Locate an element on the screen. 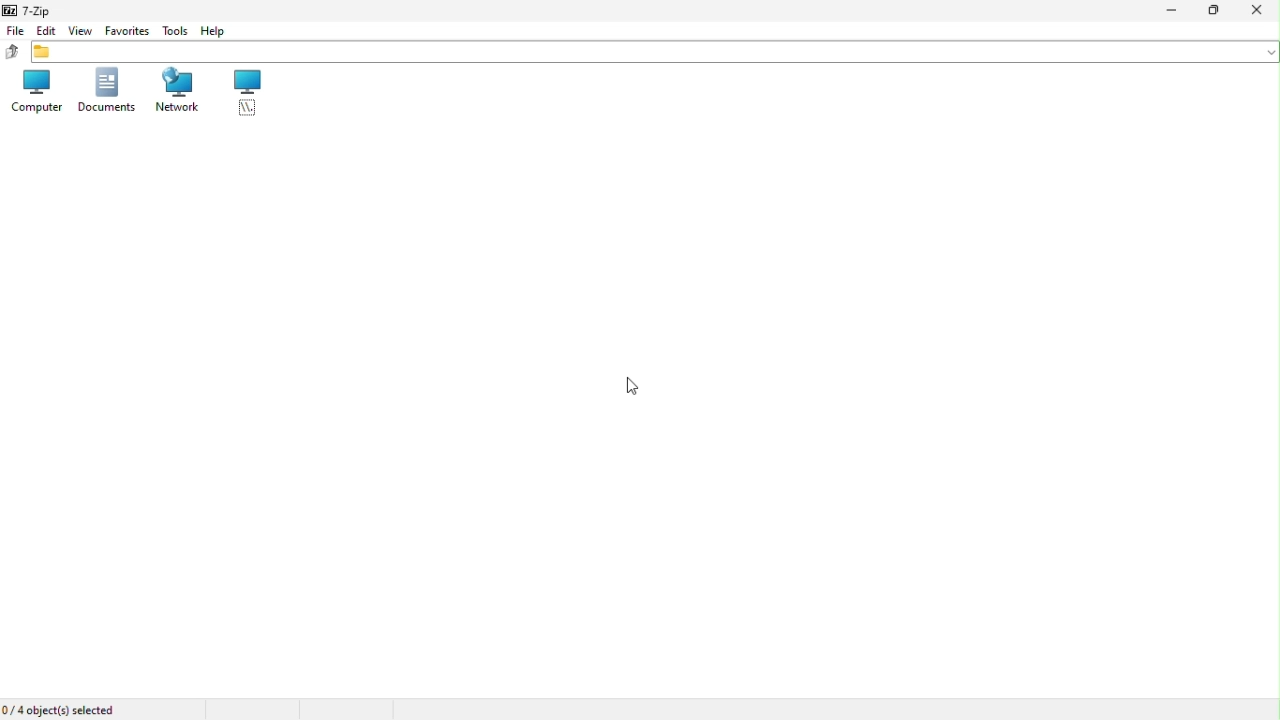  Favorites is located at coordinates (125, 31).